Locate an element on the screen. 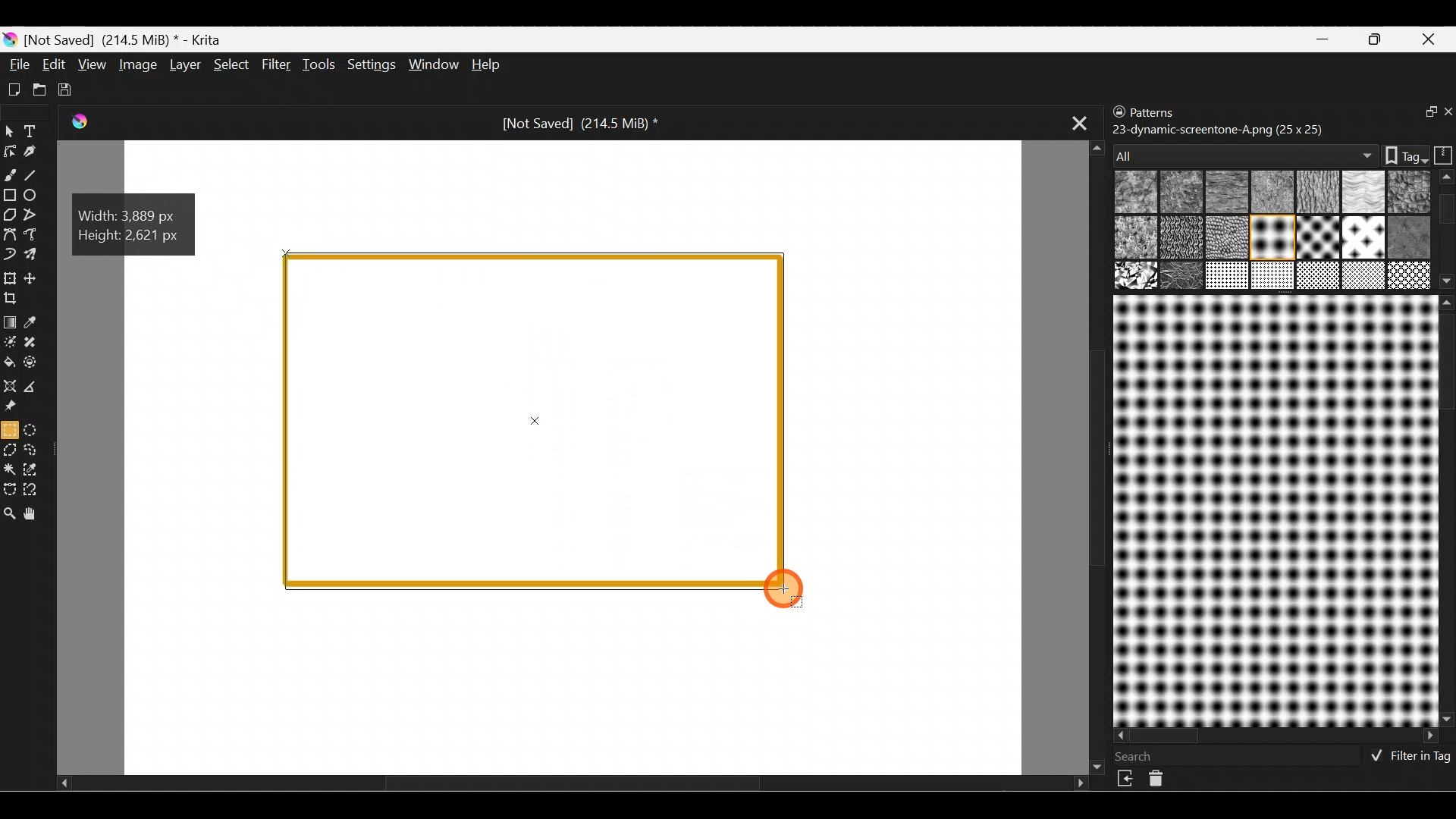 This screenshot has height=819, width=1456. Fill a contiguous area of colour with colour is located at coordinates (10, 362).